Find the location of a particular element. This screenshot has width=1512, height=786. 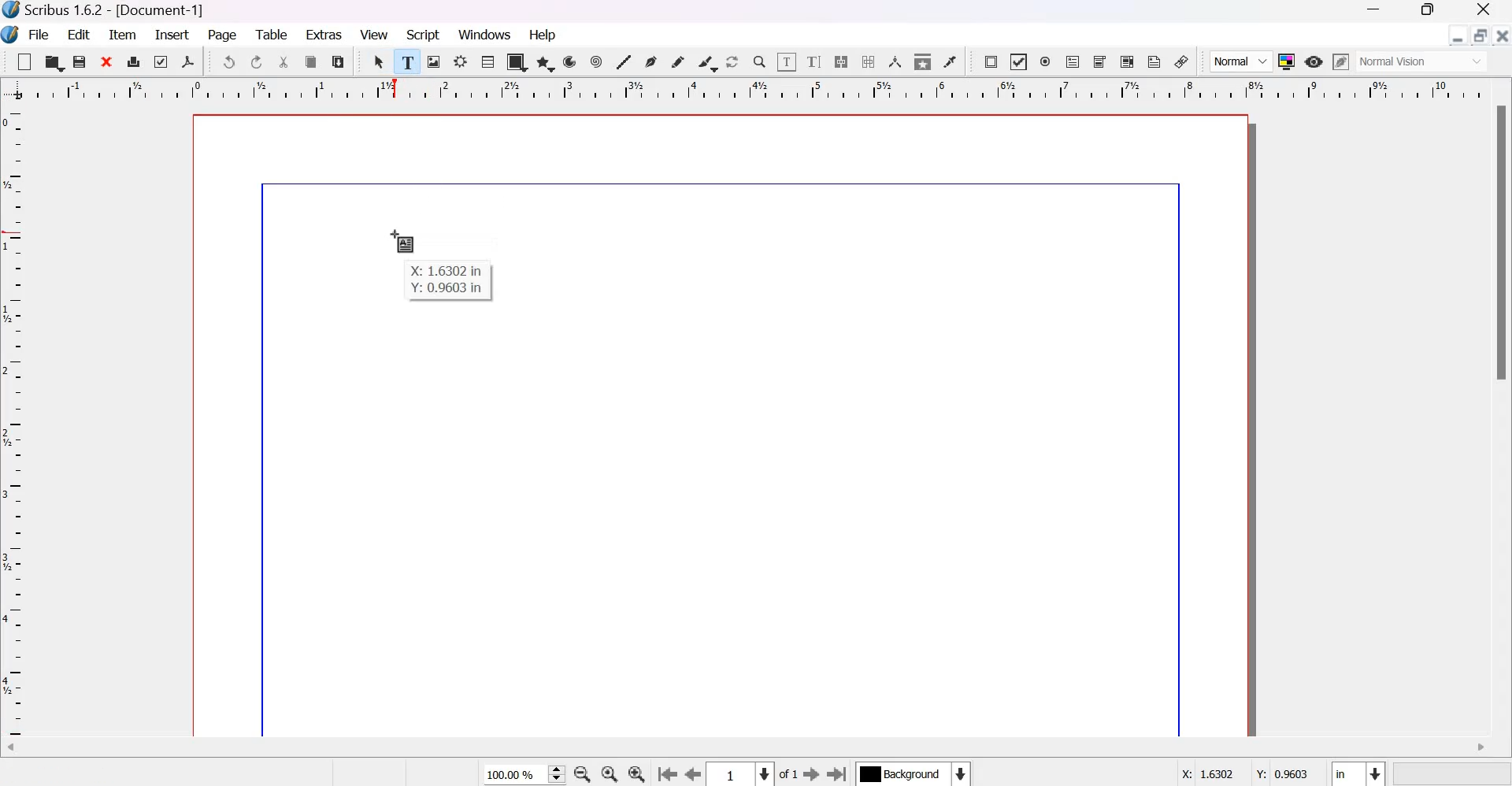

print is located at coordinates (134, 61).